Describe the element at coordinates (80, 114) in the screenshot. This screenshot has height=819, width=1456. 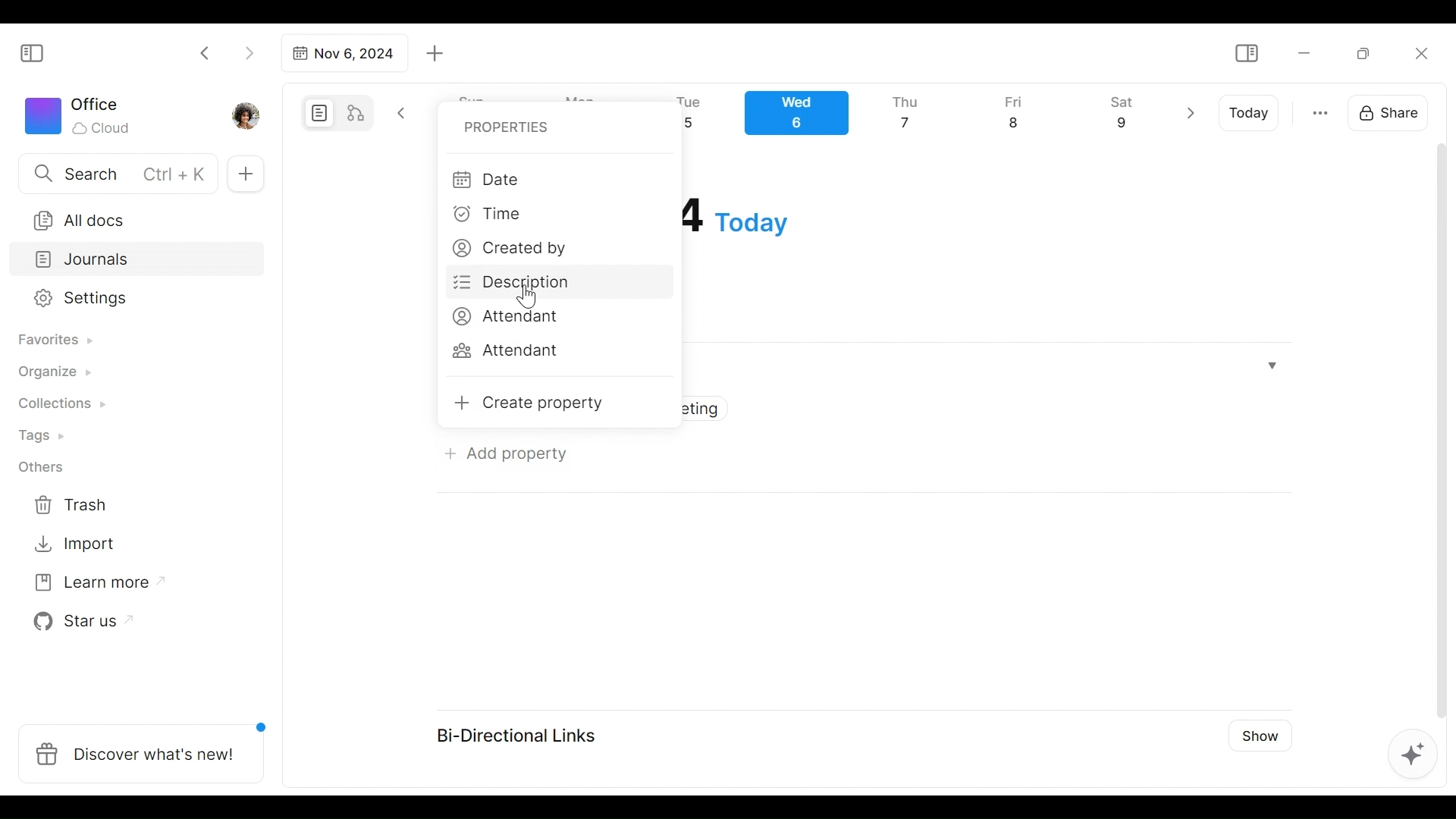
I see `Workspace icon` at that location.